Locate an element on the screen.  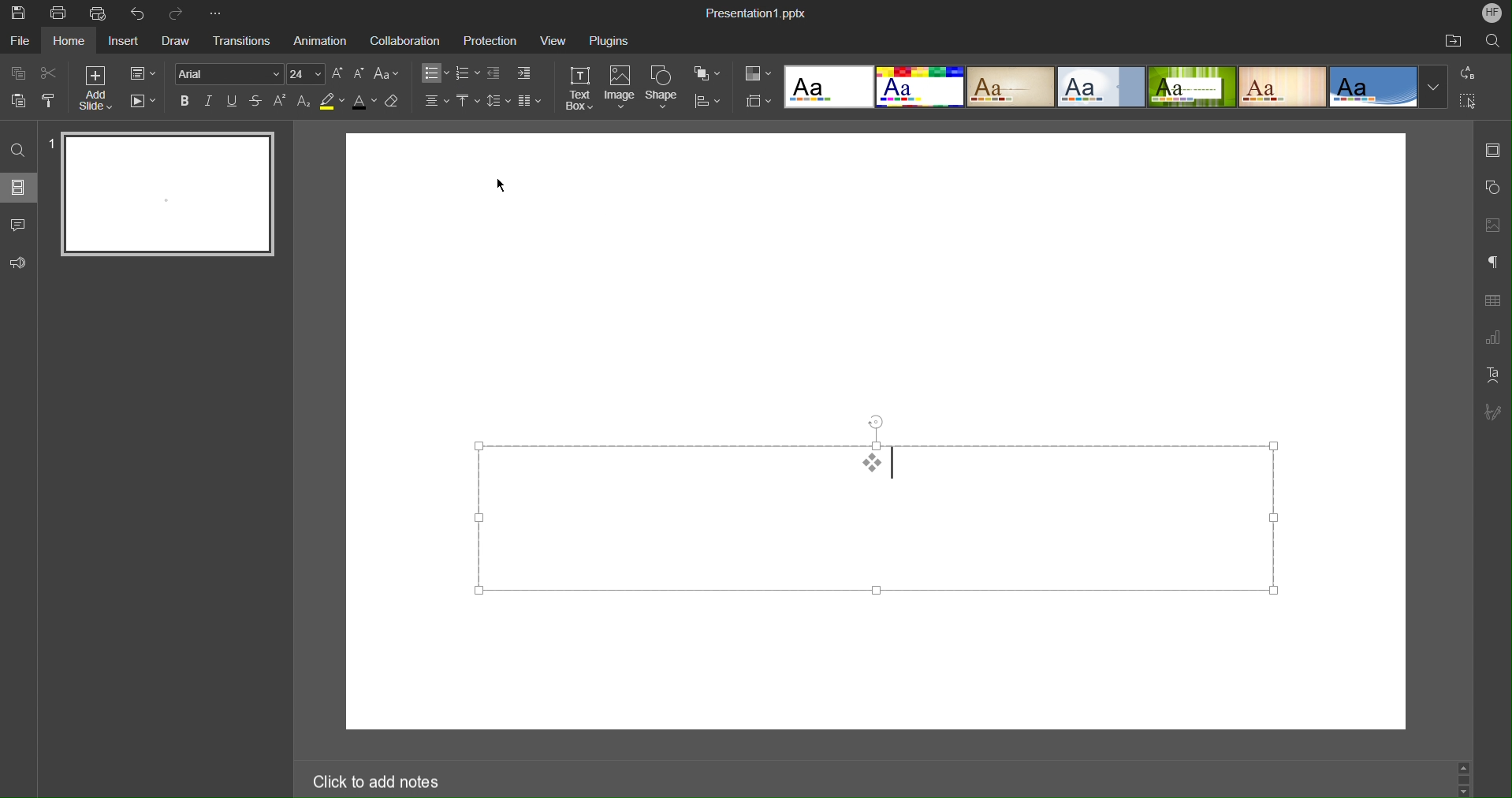
Playback is located at coordinates (143, 103).